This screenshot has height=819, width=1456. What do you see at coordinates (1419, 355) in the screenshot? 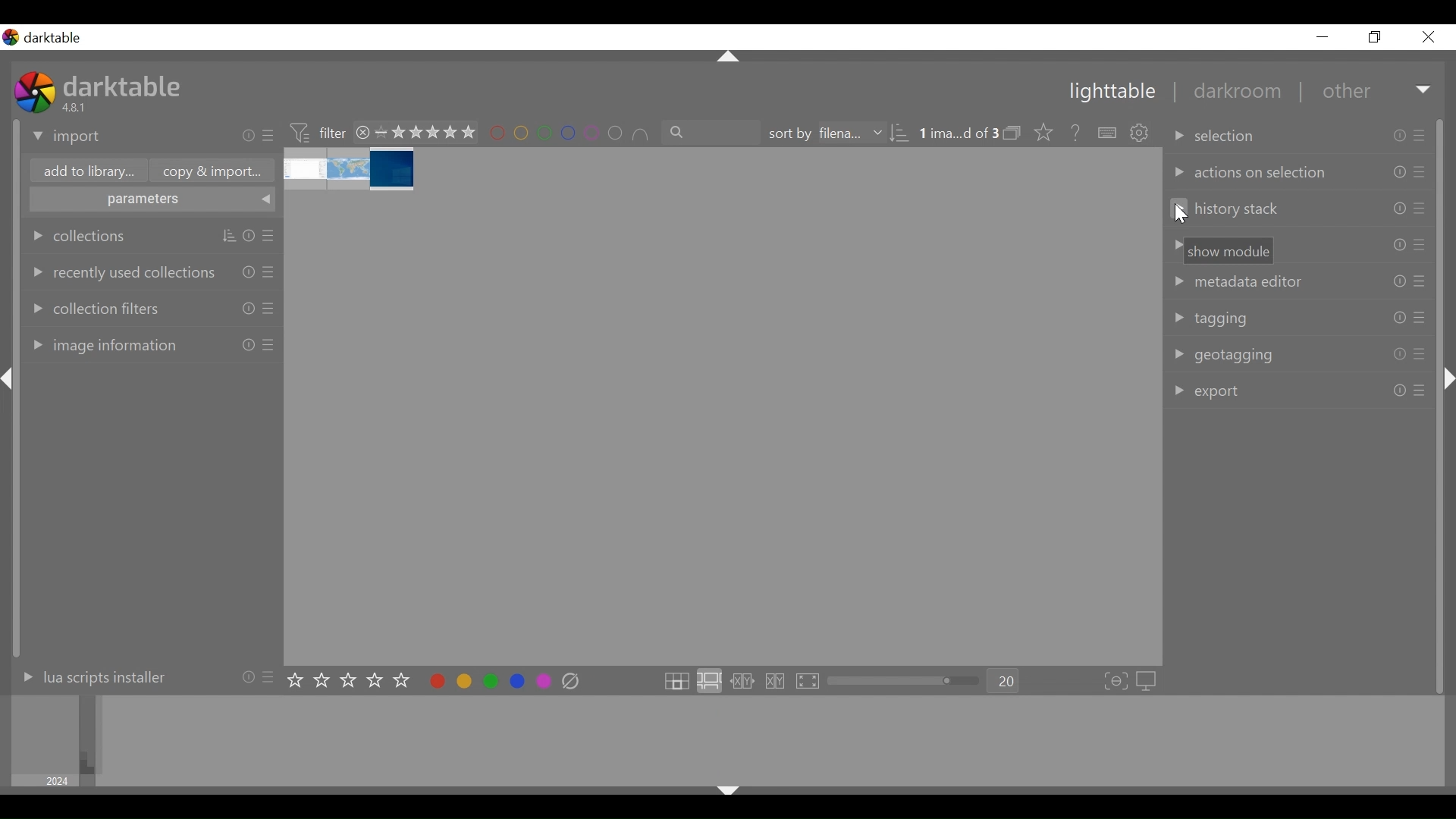
I see `presets` at bounding box center [1419, 355].